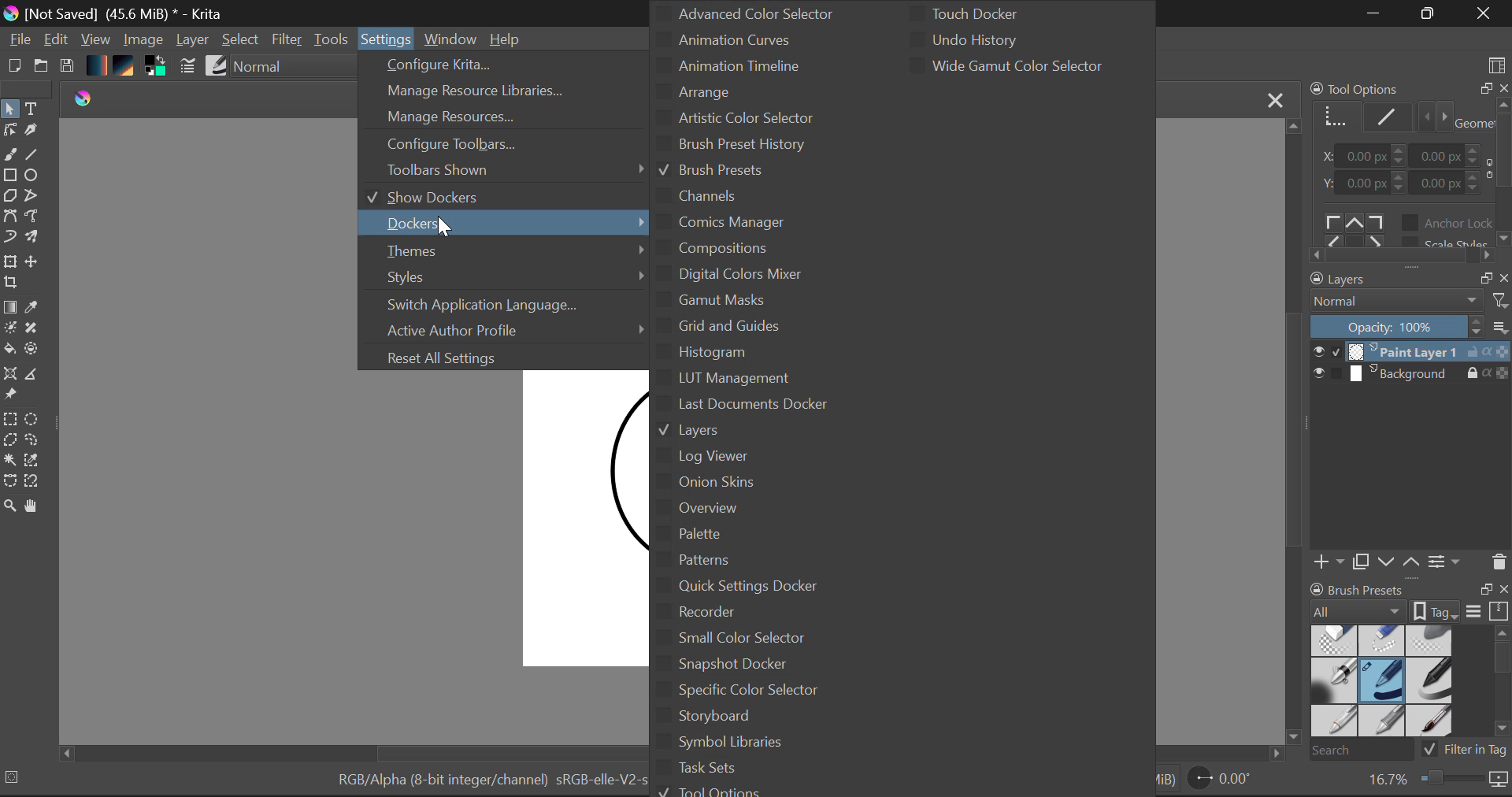 This screenshot has width=1512, height=797. What do you see at coordinates (736, 457) in the screenshot?
I see `Log Viewer` at bounding box center [736, 457].